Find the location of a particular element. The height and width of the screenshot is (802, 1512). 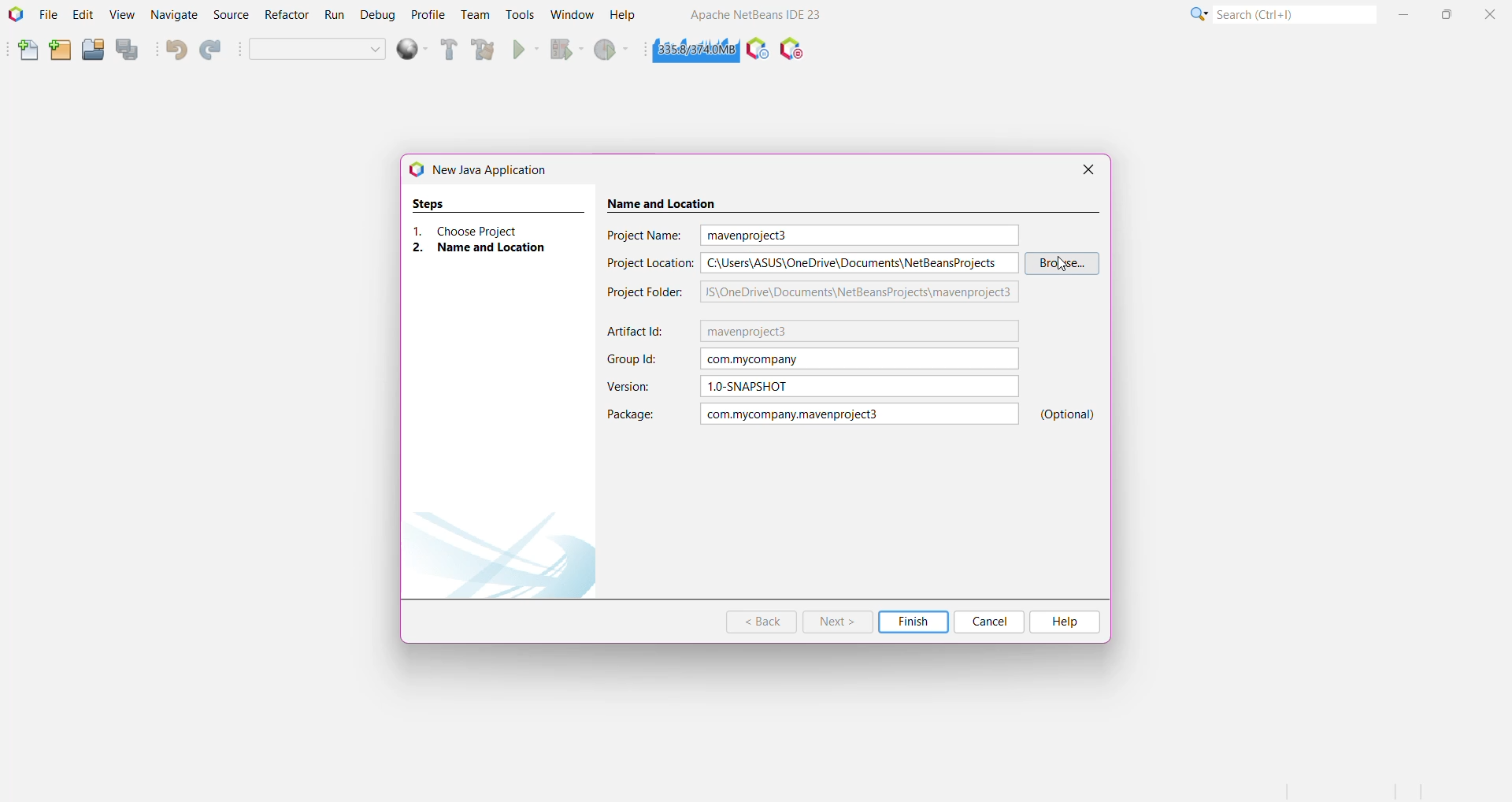

Navigate is located at coordinates (174, 16).